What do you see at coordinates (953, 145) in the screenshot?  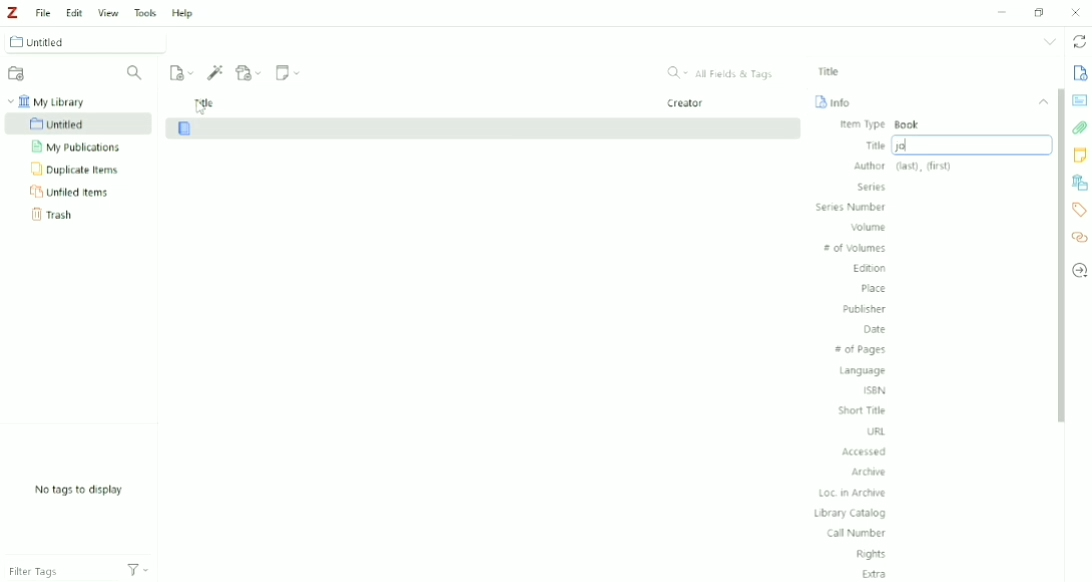 I see `jo` at bounding box center [953, 145].